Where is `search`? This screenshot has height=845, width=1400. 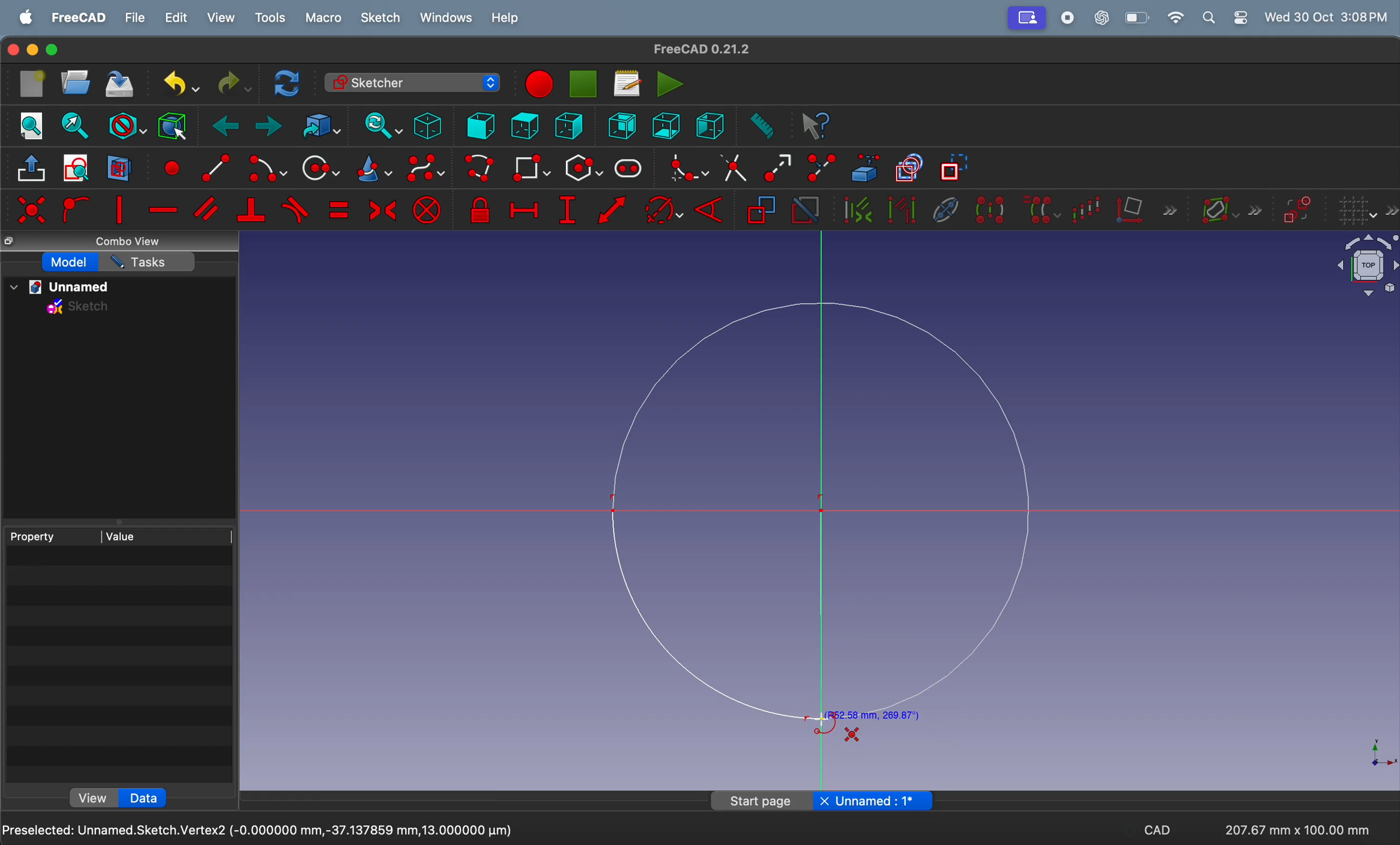 search is located at coordinates (1209, 18).